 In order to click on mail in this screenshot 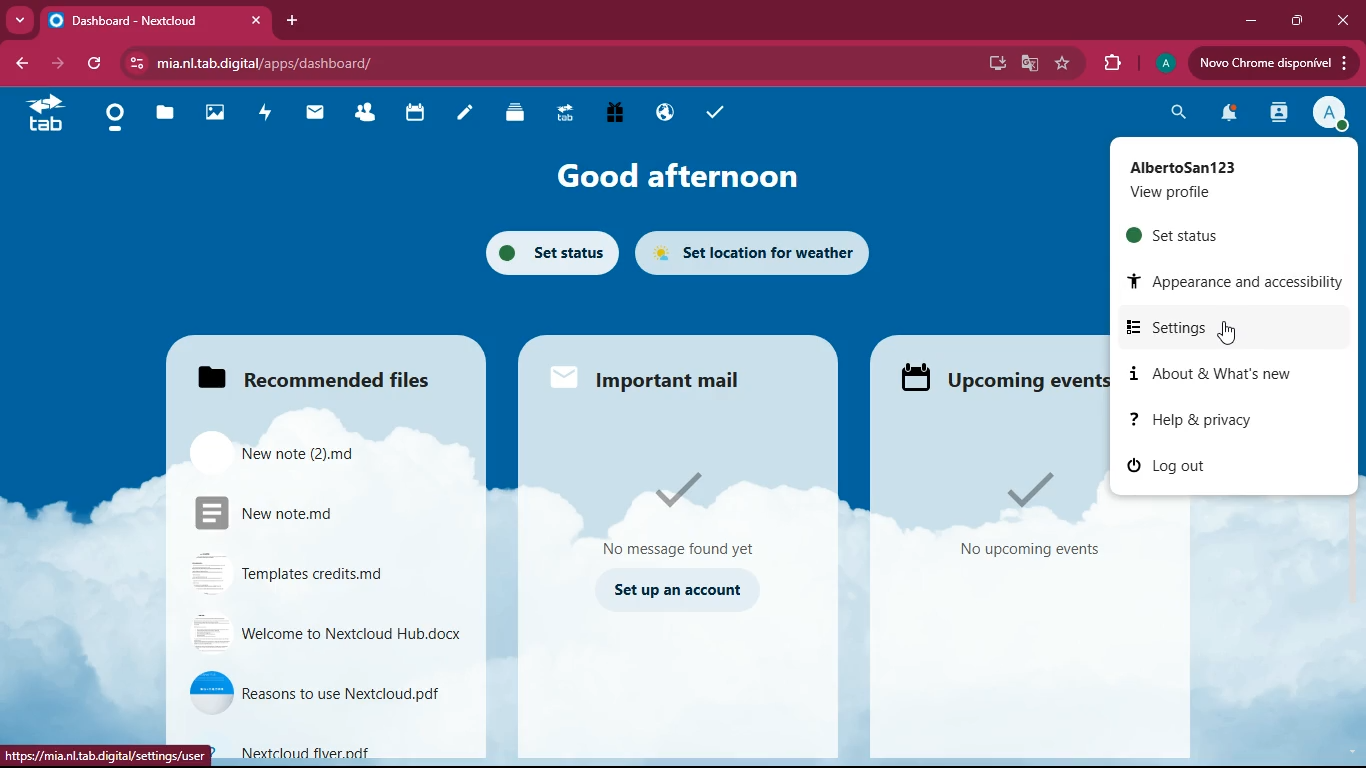, I will do `click(311, 115)`.